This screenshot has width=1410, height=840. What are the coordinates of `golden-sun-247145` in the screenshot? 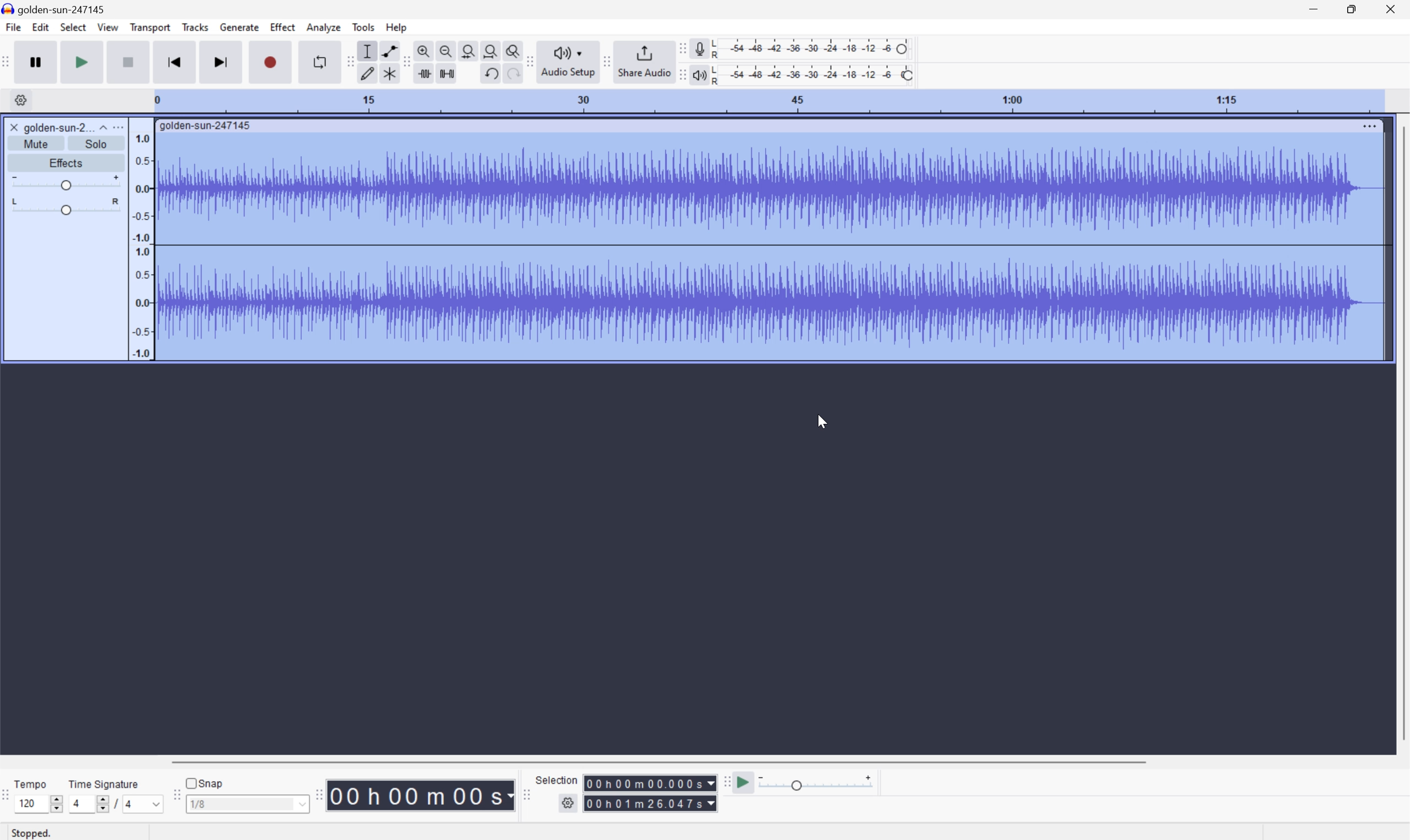 It's located at (206, 127).